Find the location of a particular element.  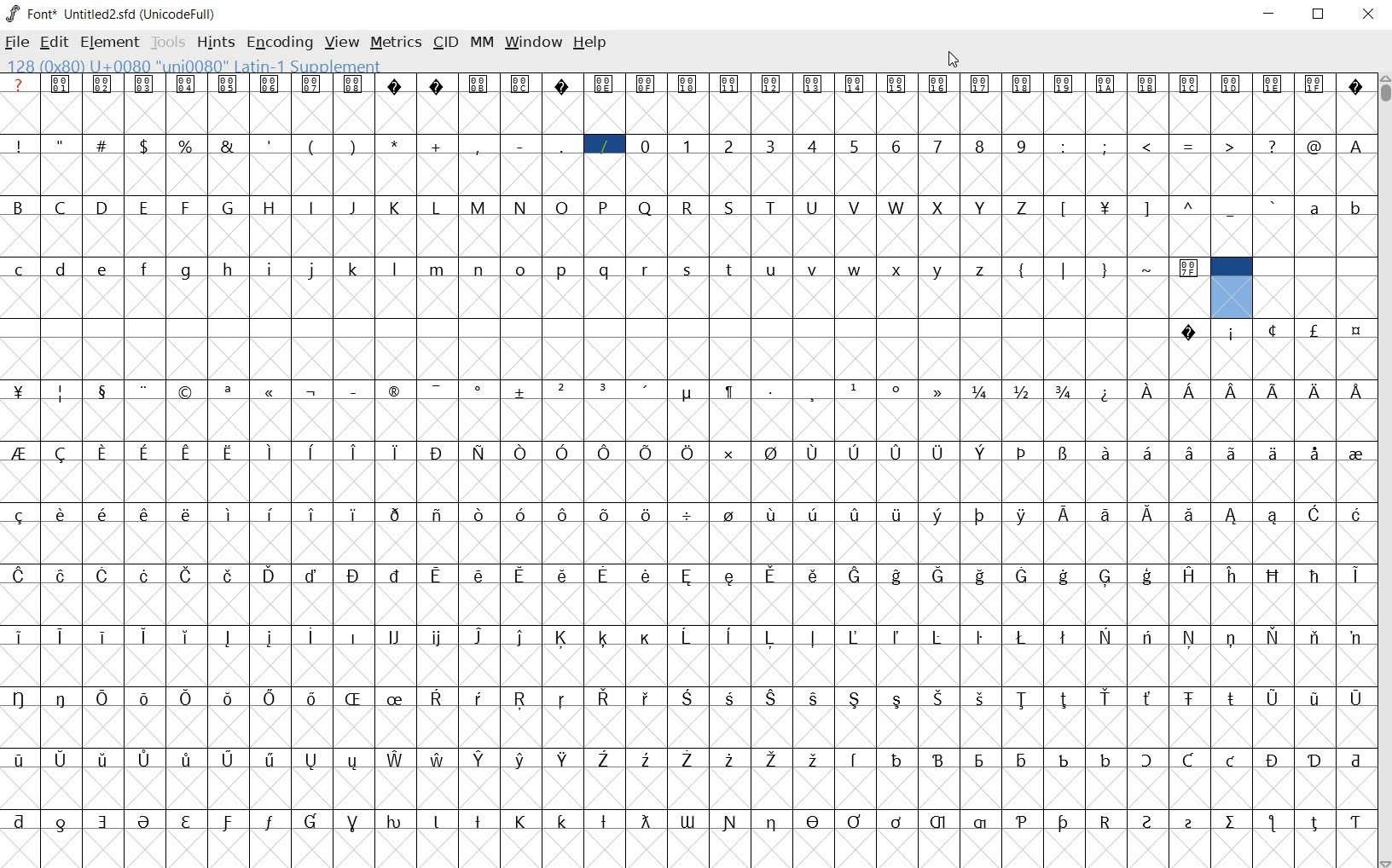

( is located at coordinates (312, 145).